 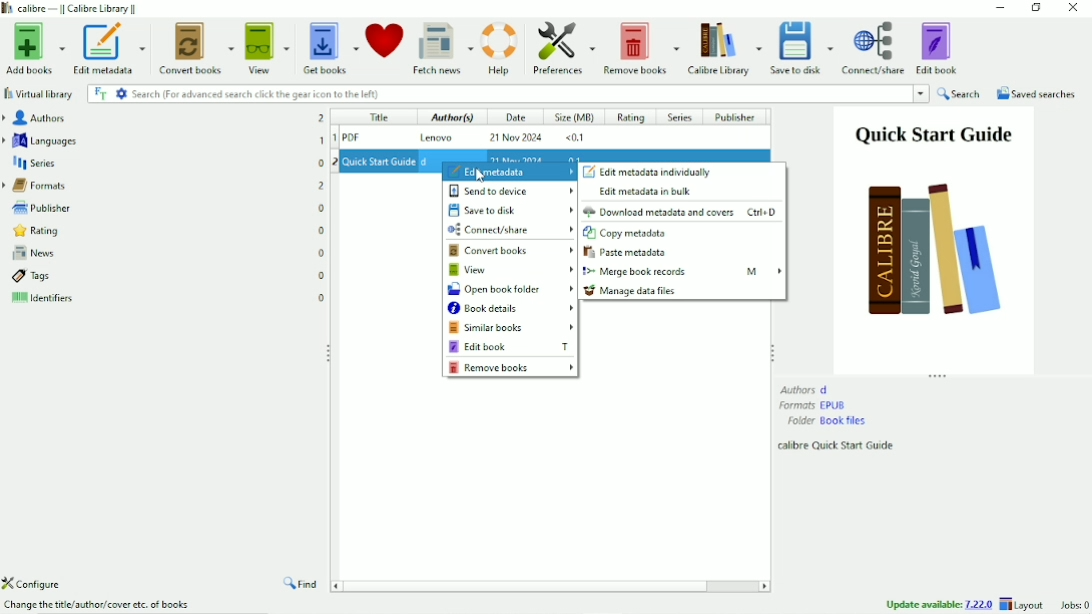 I want to click on Date, so click(x=514, y=118).